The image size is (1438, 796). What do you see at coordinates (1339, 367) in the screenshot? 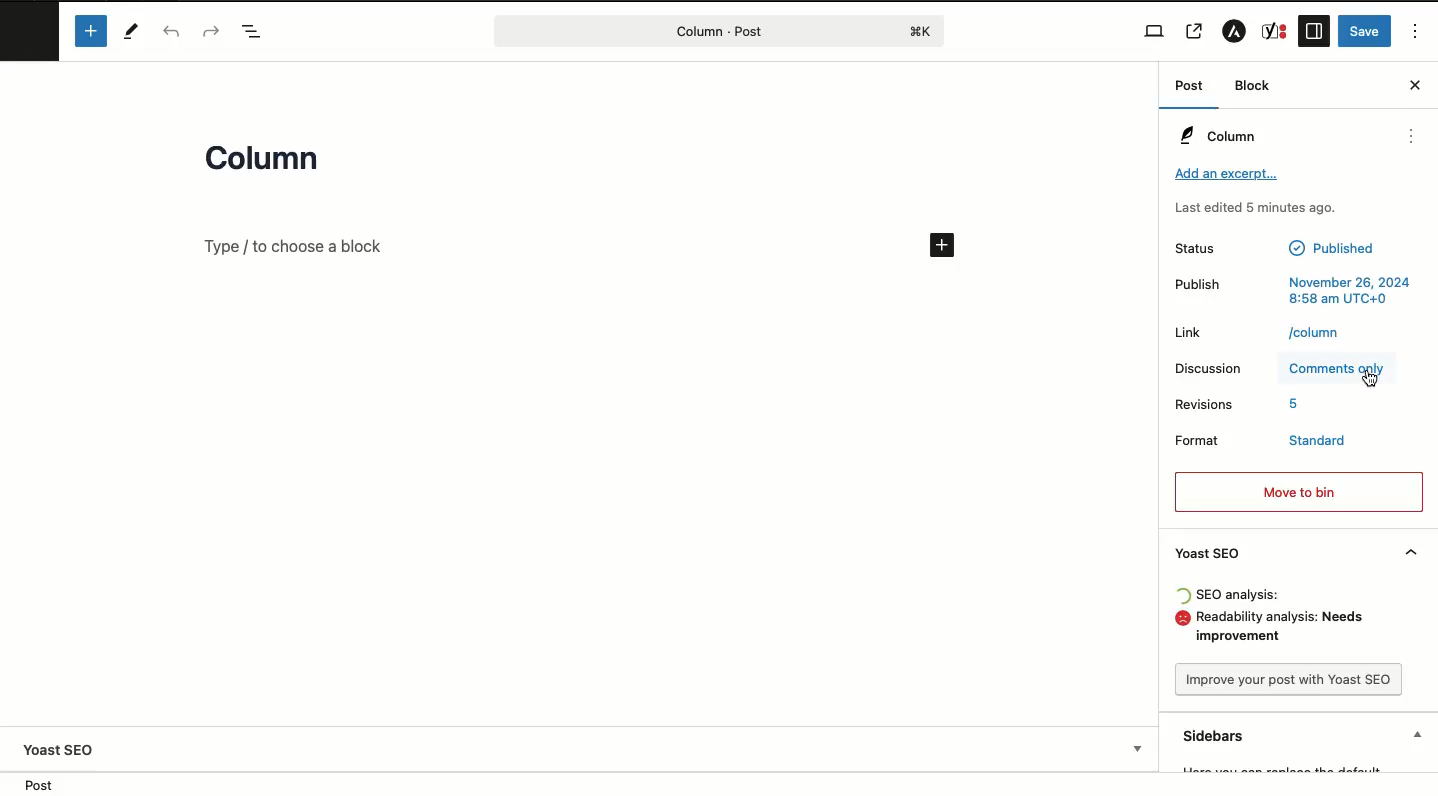
I see `Comments only` at bounding box center [1339, 367].